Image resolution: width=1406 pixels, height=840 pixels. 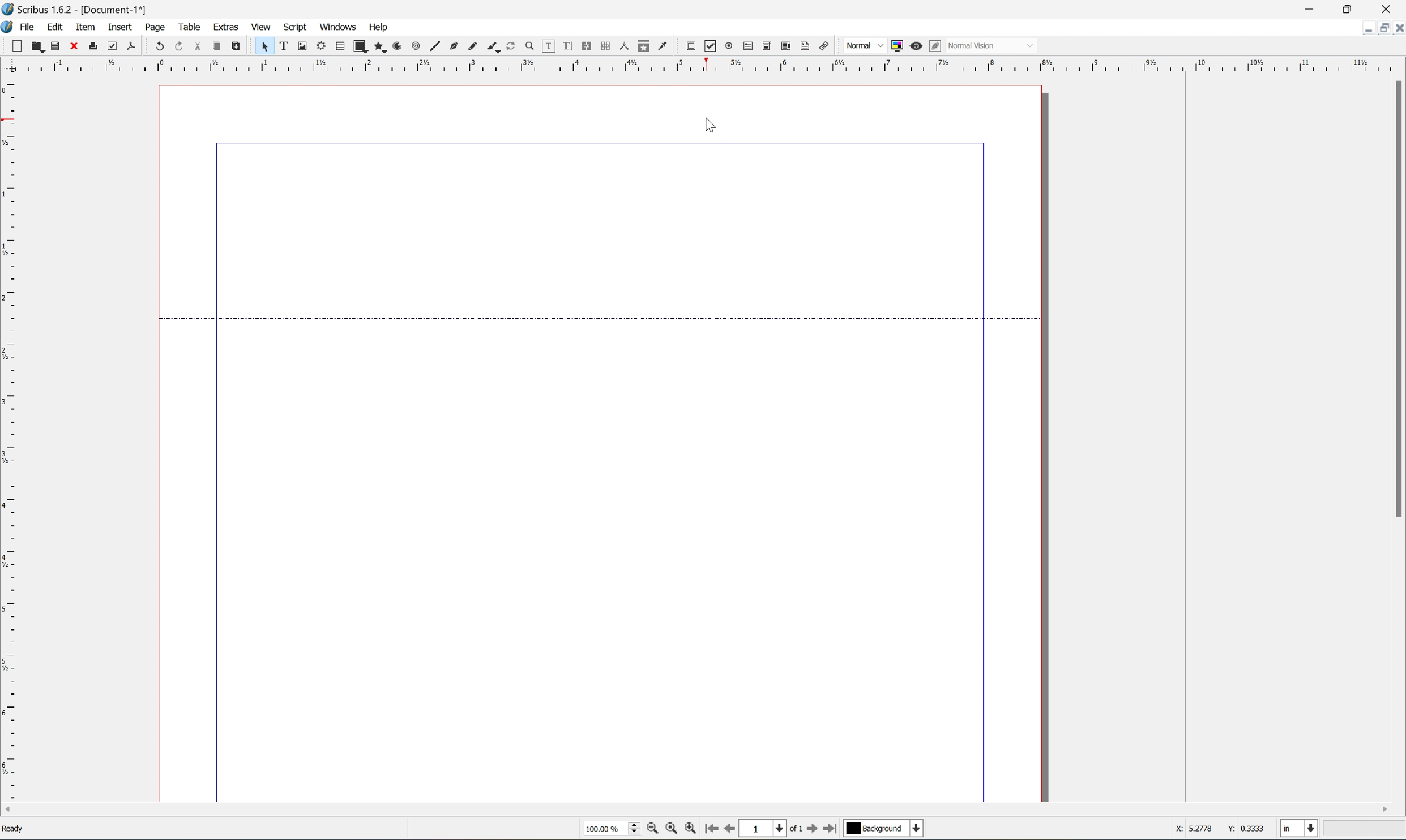 I want to click on select current unit, so click(x=1300, y=829).